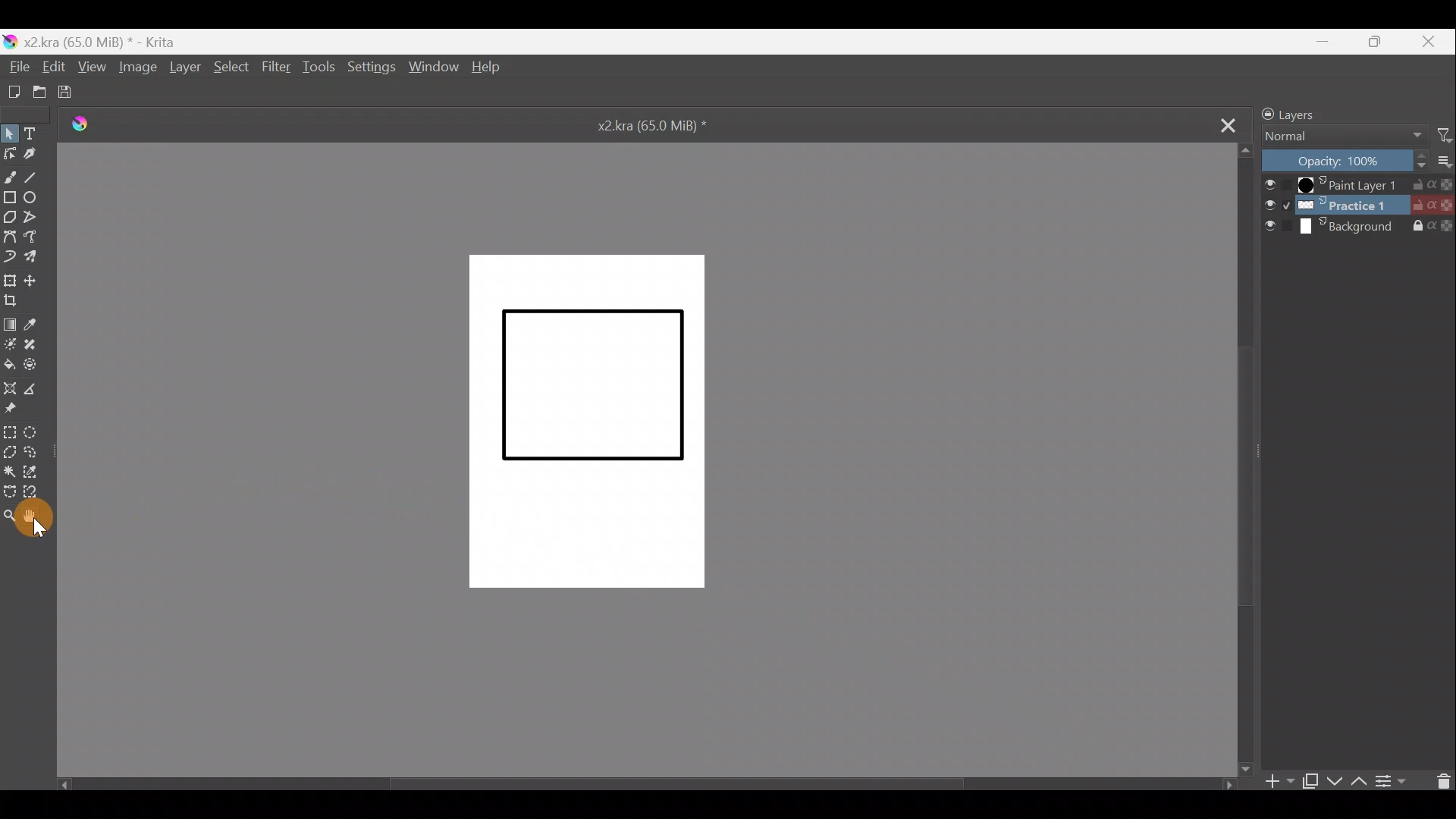 Image resolution: width=1456 pixels, height=819 pixels. What do you see at coordinates (1442, 162) in the screenshot?
I see `More` at bounding box center [1442, 162].